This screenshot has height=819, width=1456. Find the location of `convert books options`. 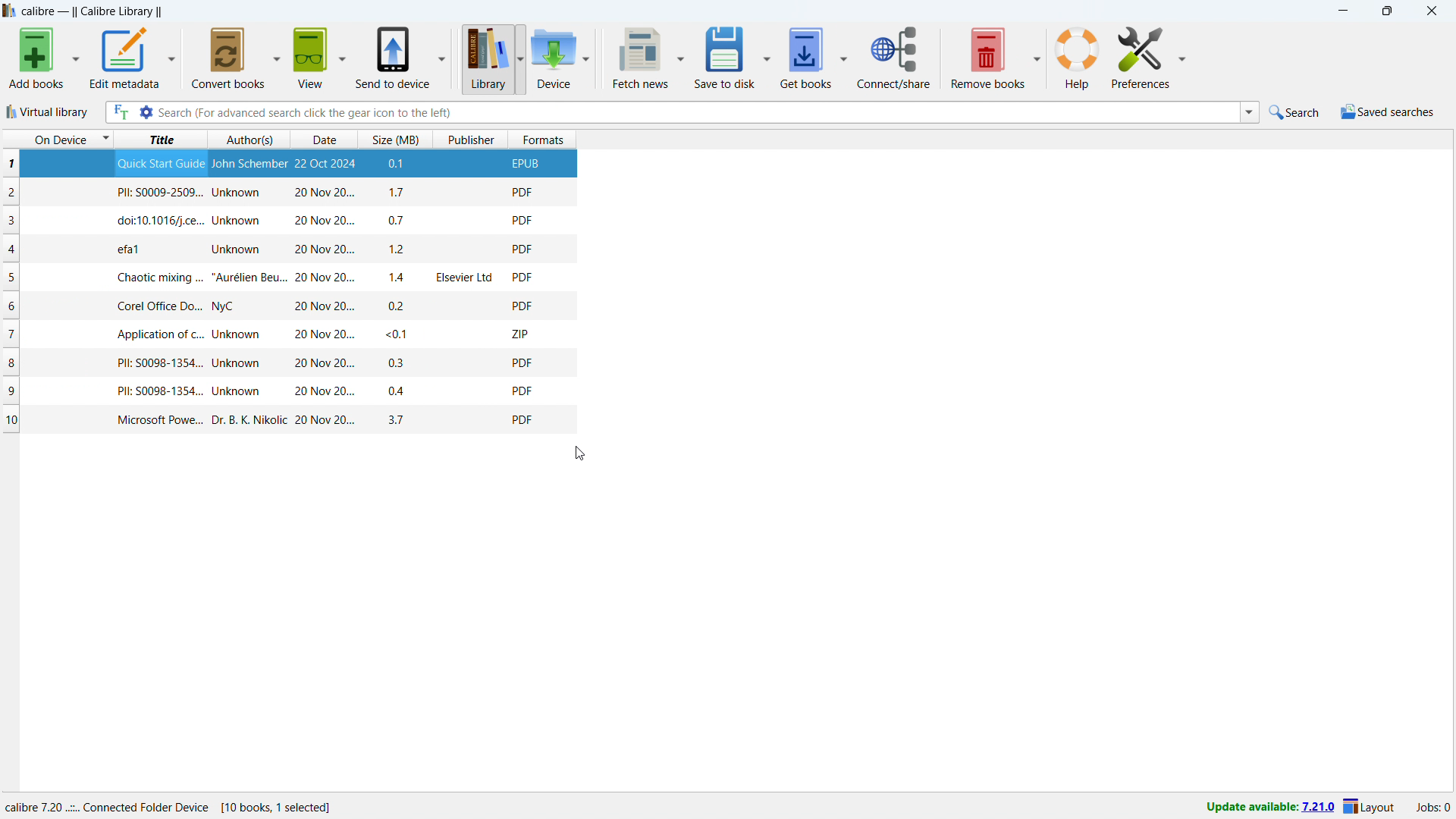

convert books options is located at coordinates (276, 57).